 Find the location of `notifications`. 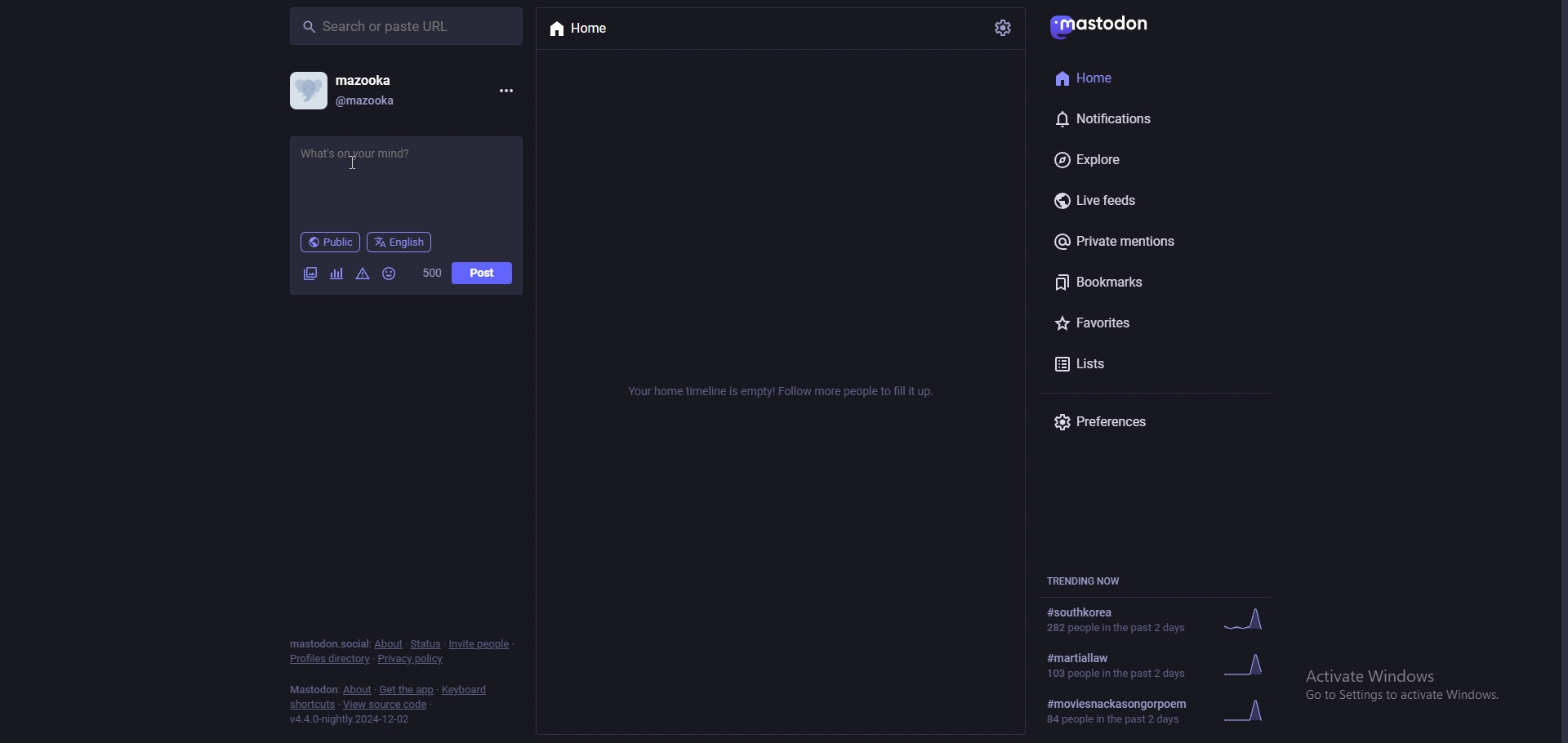

notifications is located at coordinates (1132, 117).